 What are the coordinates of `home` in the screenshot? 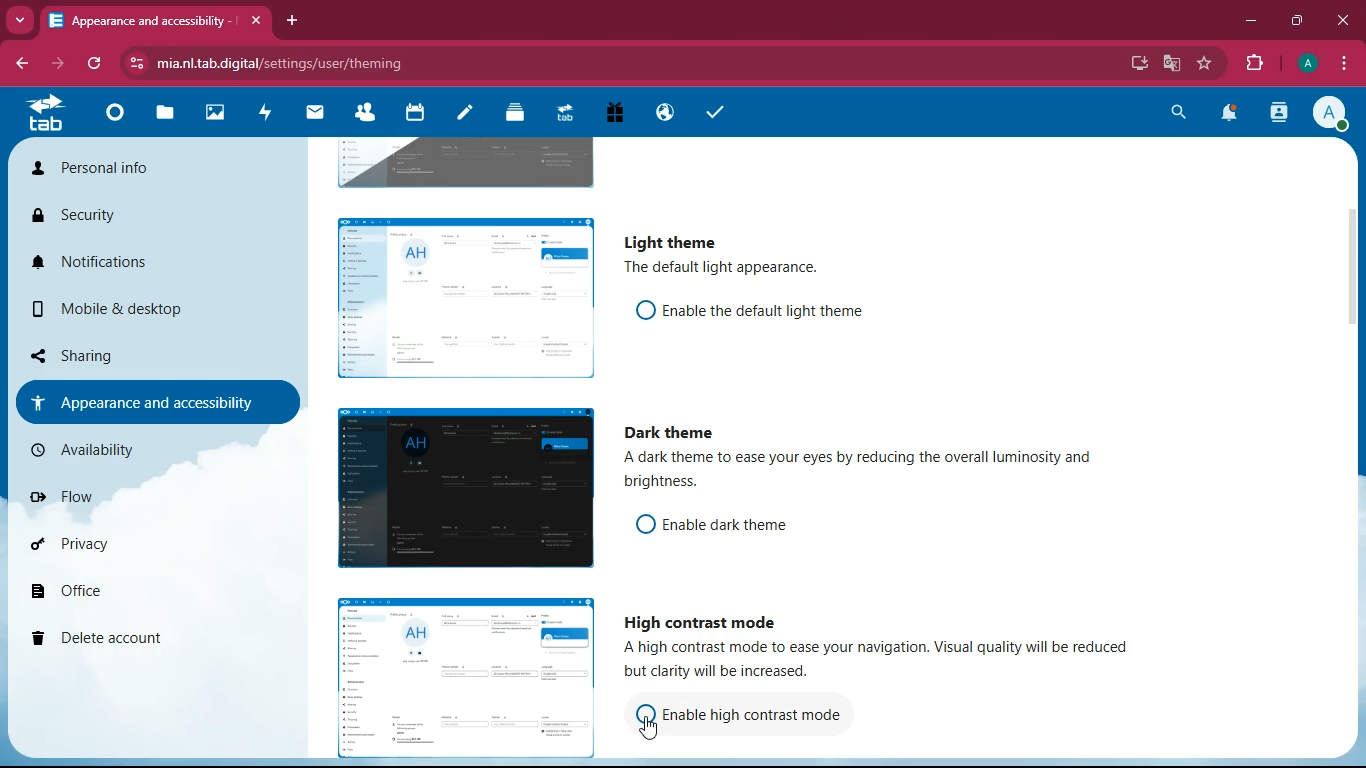 It's located at (110, 119).